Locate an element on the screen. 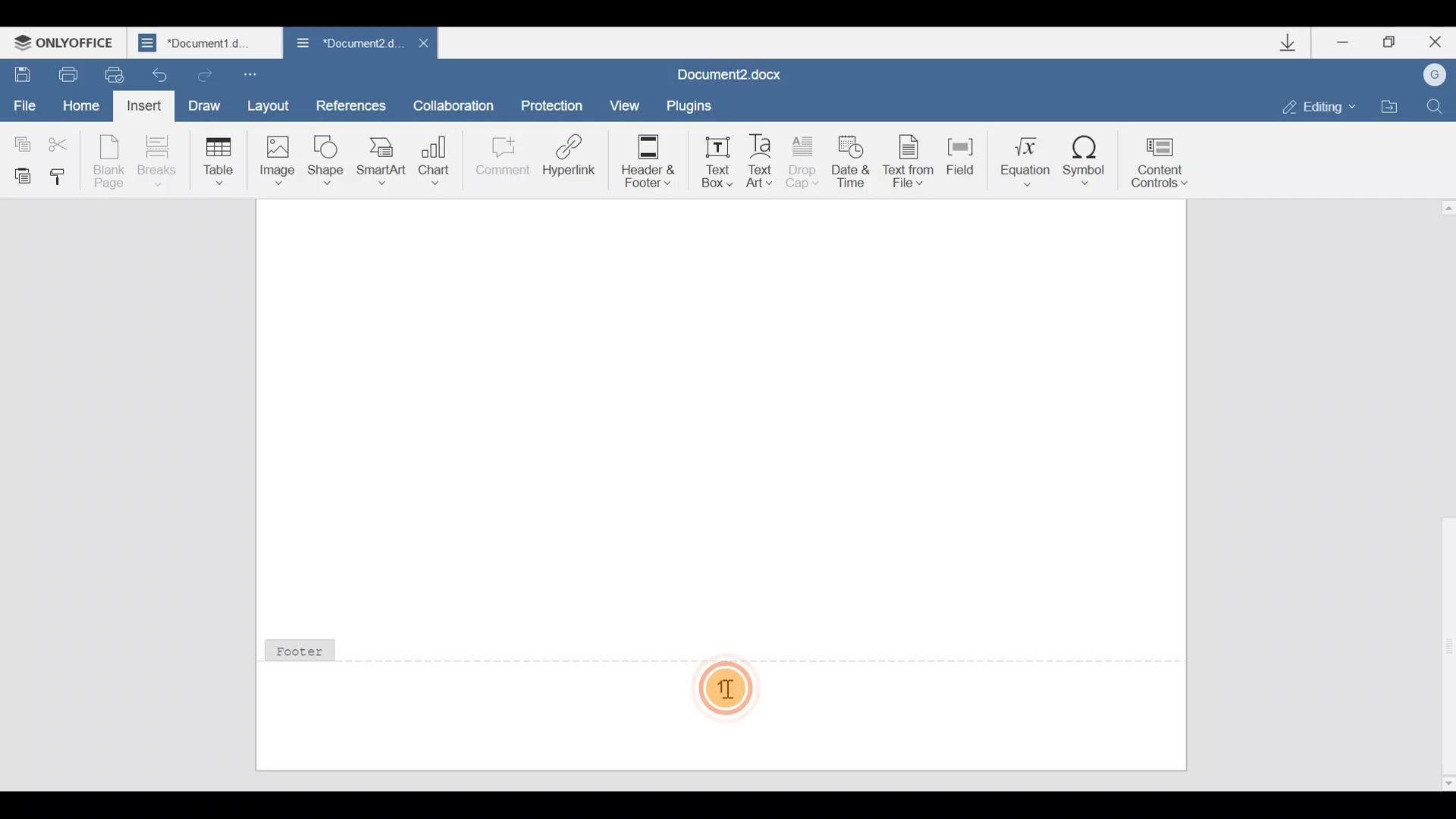 This screenshot has width=1456, height=819. Hyperlink is located at coordinates (570, 160).